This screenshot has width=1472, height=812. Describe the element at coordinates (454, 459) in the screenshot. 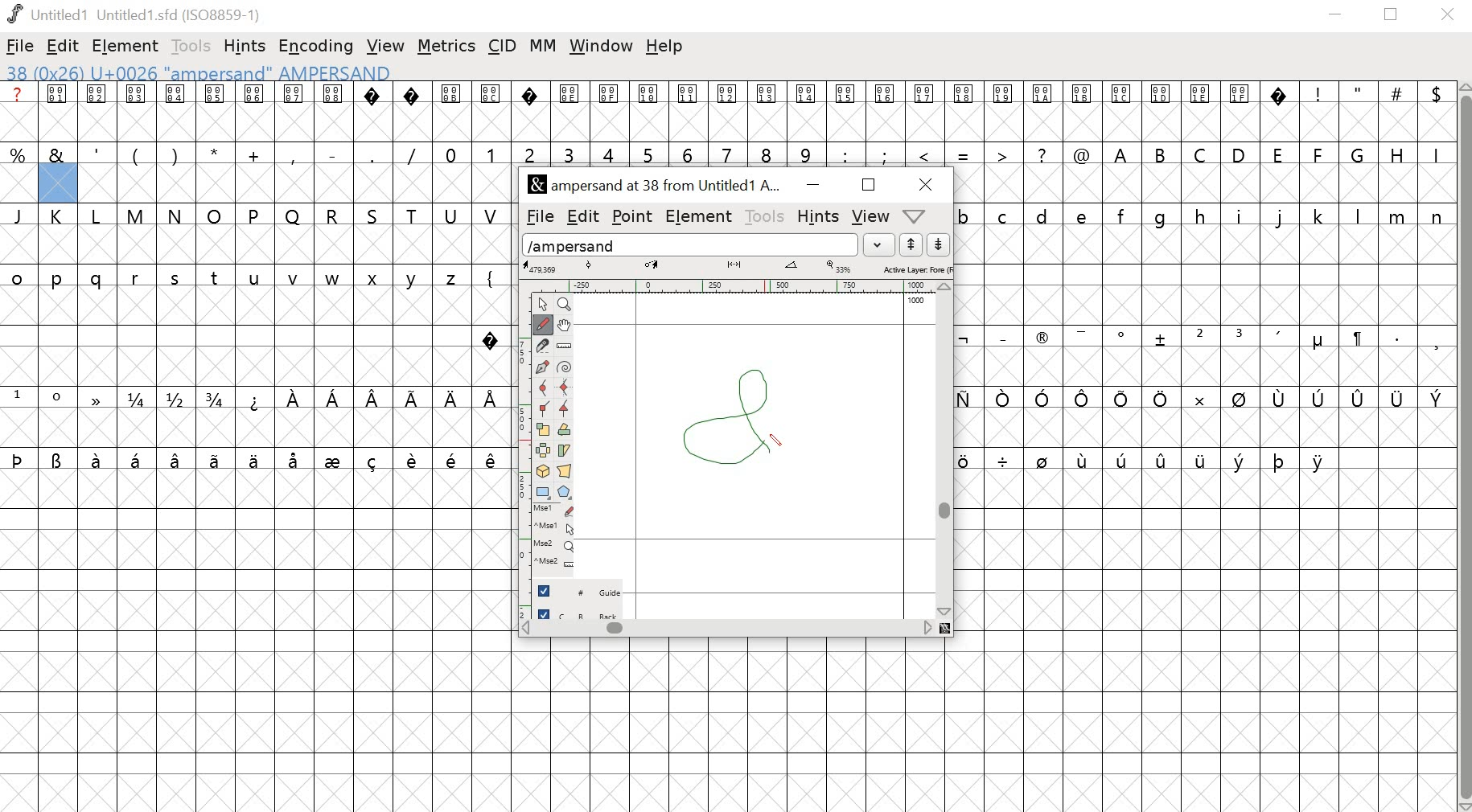

I see `symbol` at that location.